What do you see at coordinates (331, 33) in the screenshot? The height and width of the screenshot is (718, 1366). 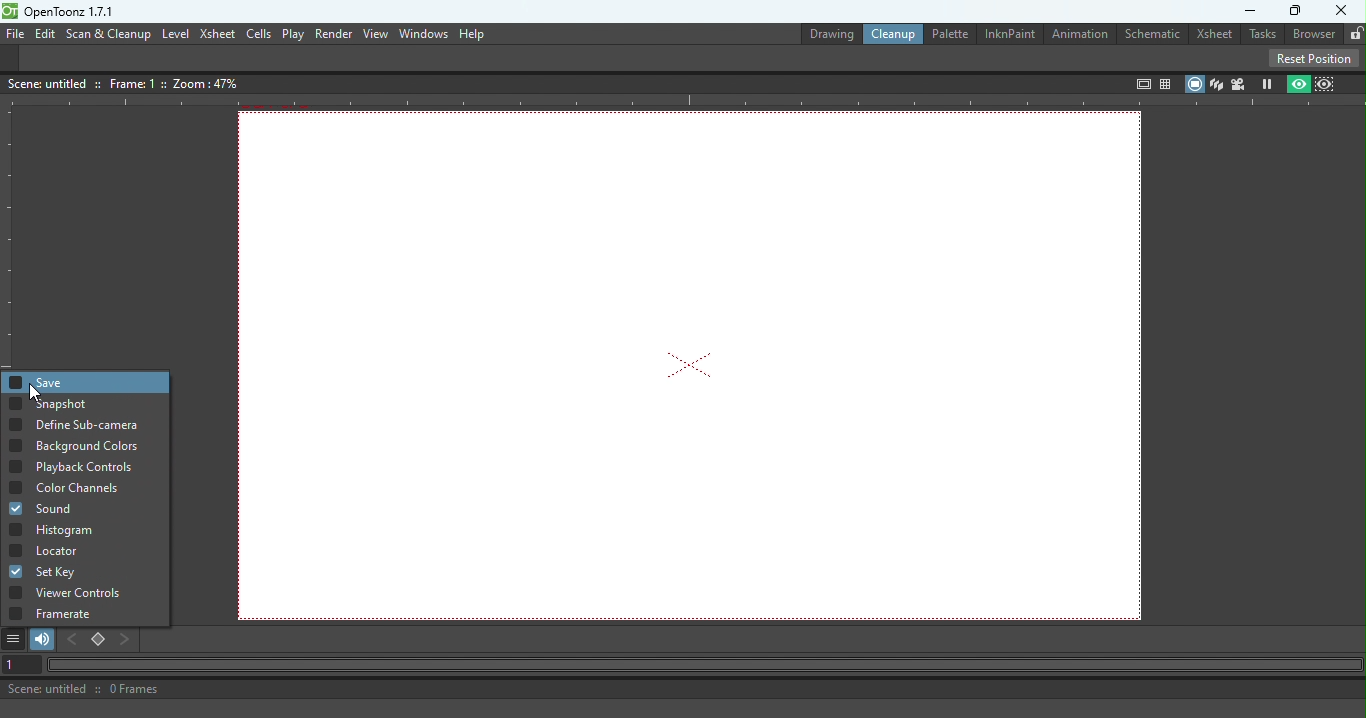 I see `Render` at bounding box center [331, 33].